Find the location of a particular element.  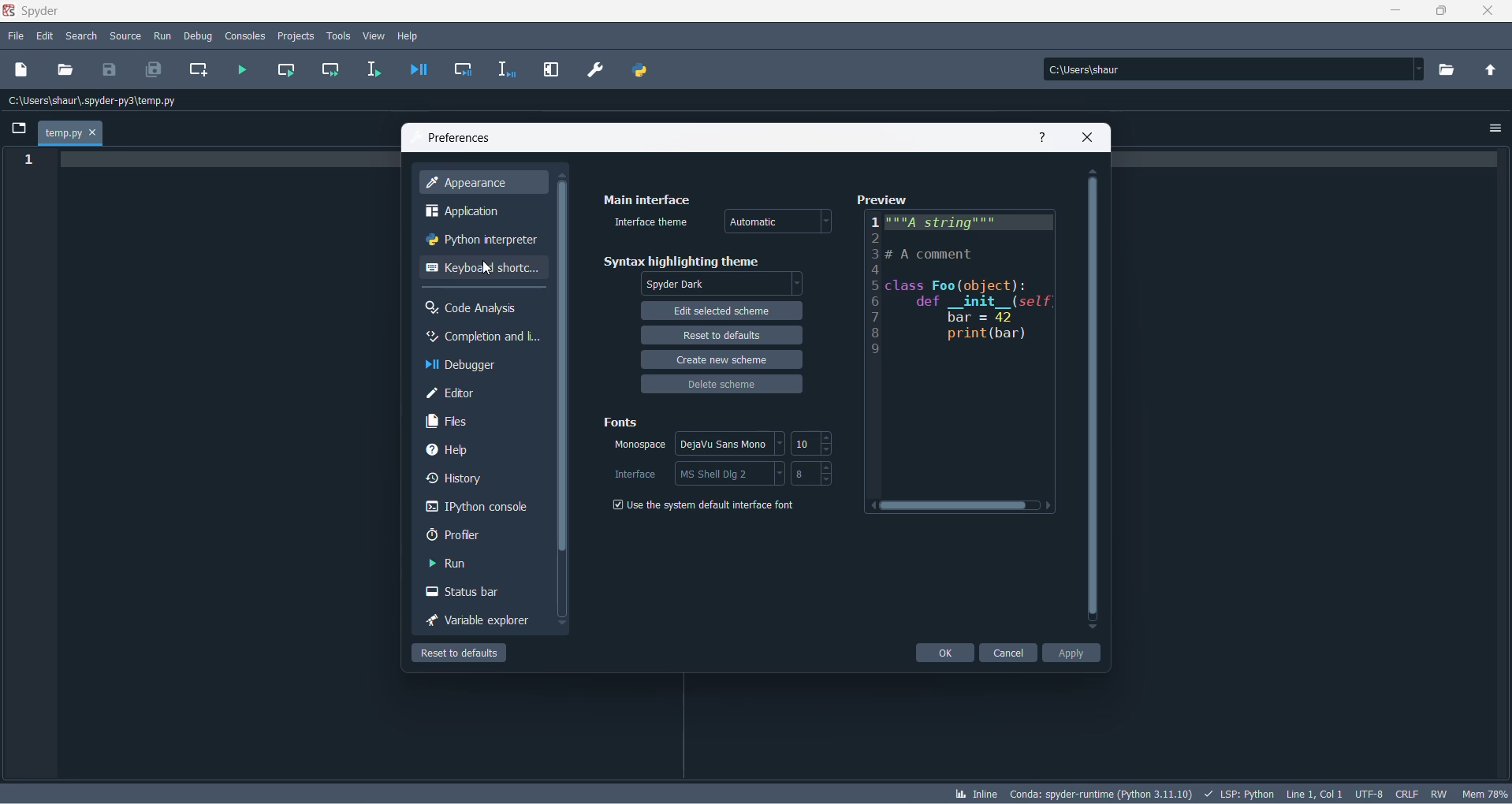

debug is located at coordinates (198, 34).